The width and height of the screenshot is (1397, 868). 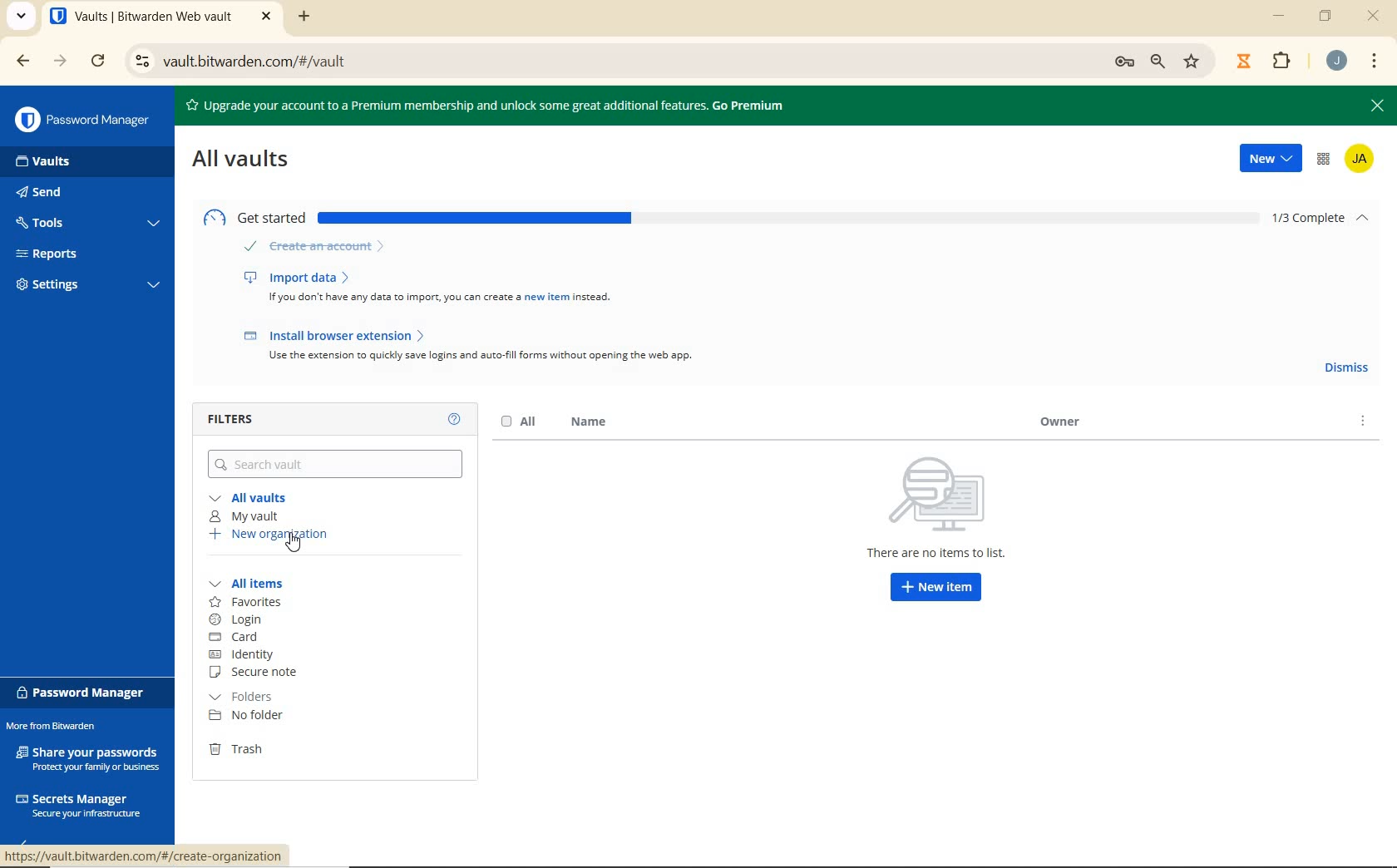 I want to click on Bitwarden Web Vault, so click(x=160, y=18).